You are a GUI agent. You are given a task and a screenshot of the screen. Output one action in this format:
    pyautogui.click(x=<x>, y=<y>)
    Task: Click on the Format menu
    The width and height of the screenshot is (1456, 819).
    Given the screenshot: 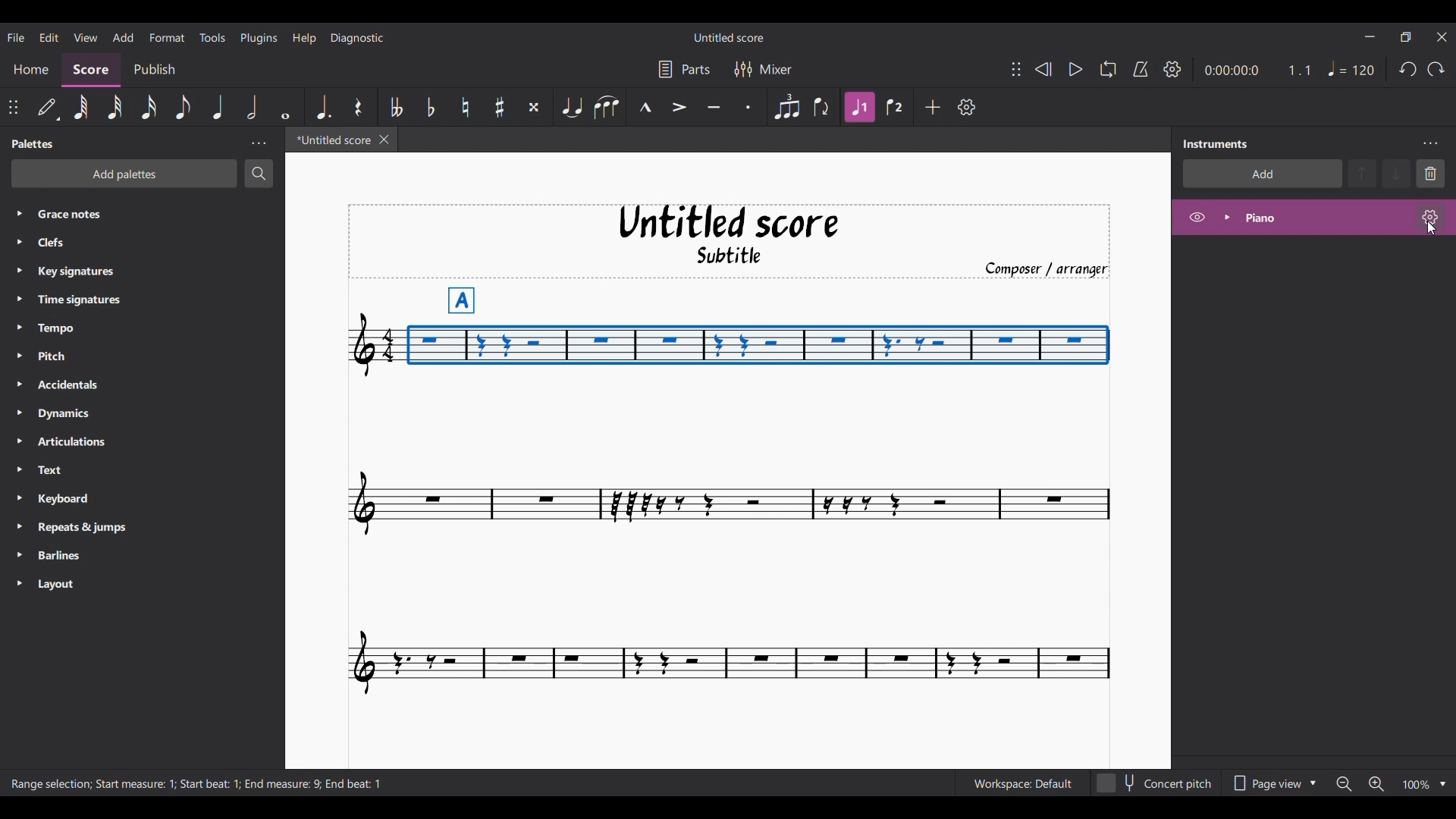 What is the action you would take?
    pyautogui.click(x=167, y=36)
    